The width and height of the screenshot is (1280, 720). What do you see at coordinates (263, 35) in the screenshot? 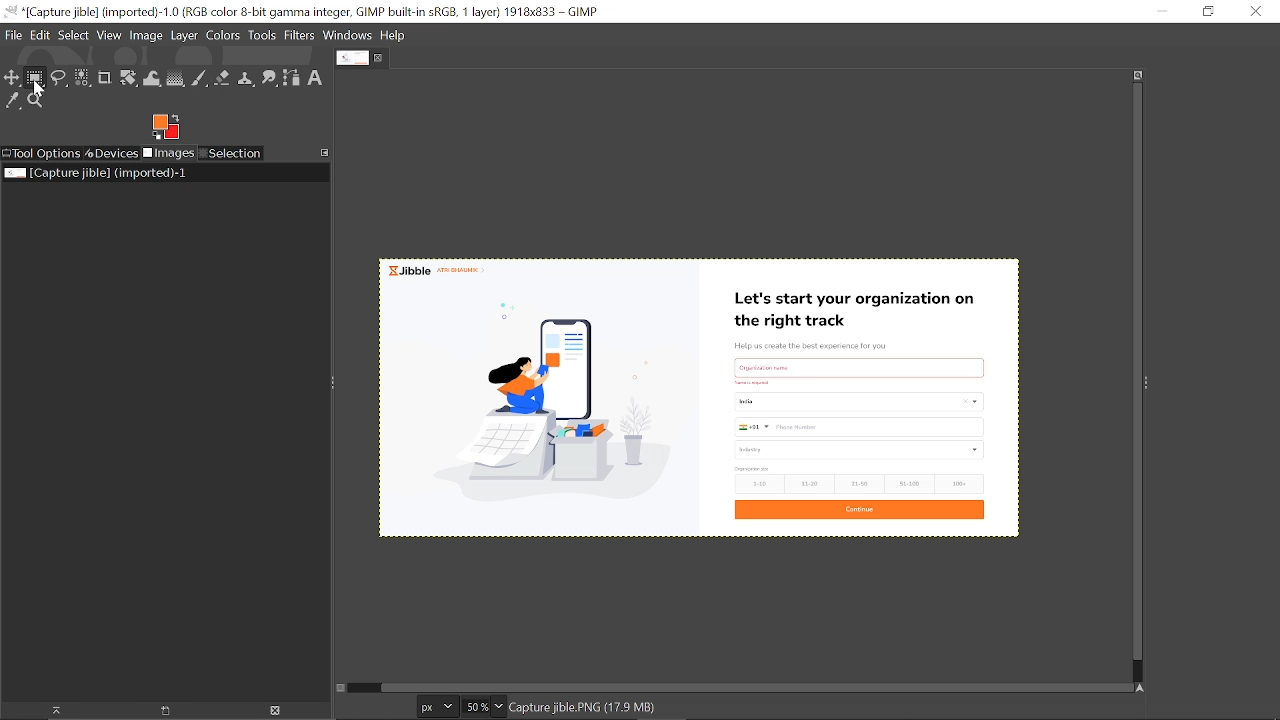
I see `Tools` at bounding box center [263, 35].